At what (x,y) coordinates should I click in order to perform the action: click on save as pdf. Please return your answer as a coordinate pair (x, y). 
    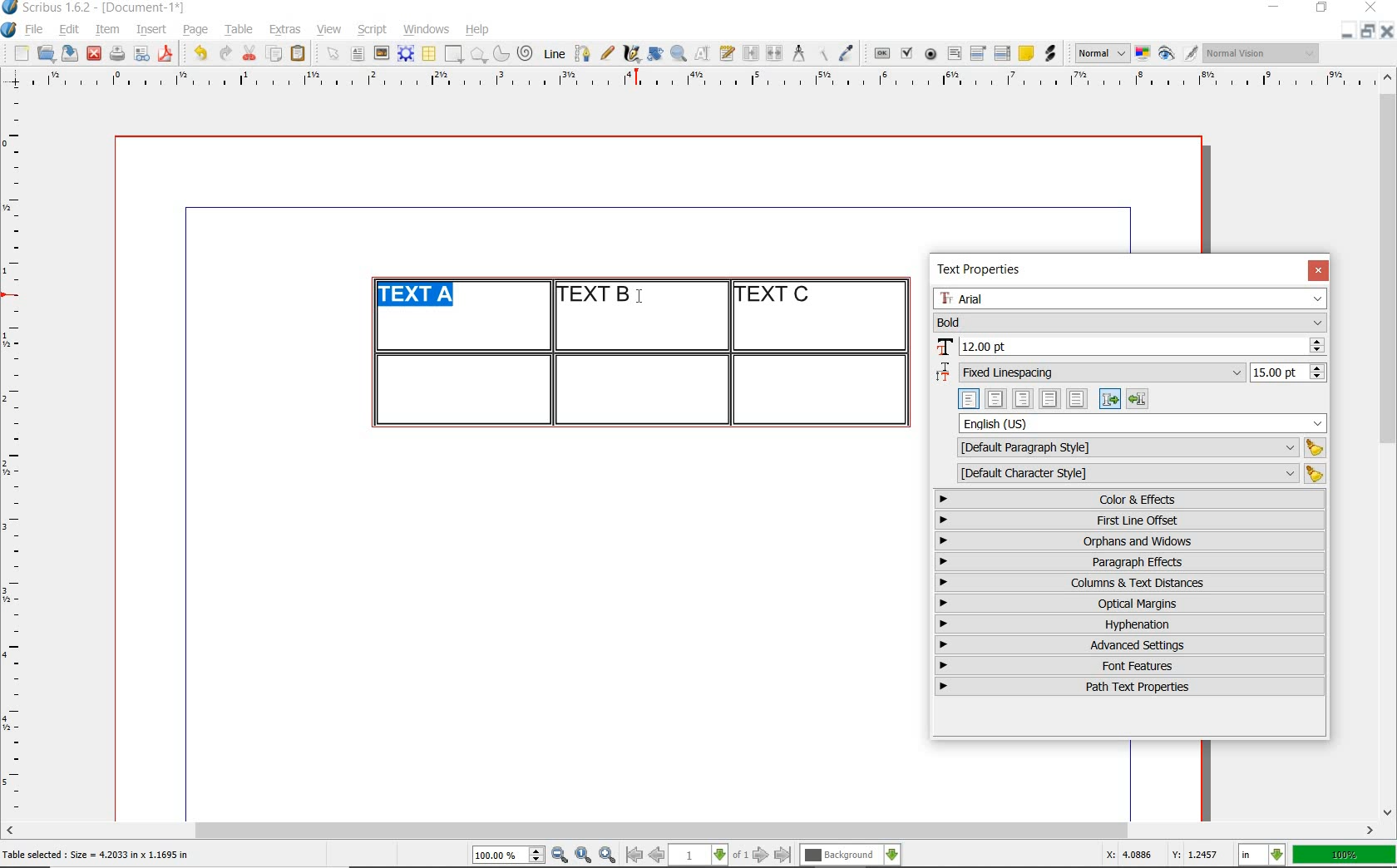
    Looking at the image, I should click on (168, 53).